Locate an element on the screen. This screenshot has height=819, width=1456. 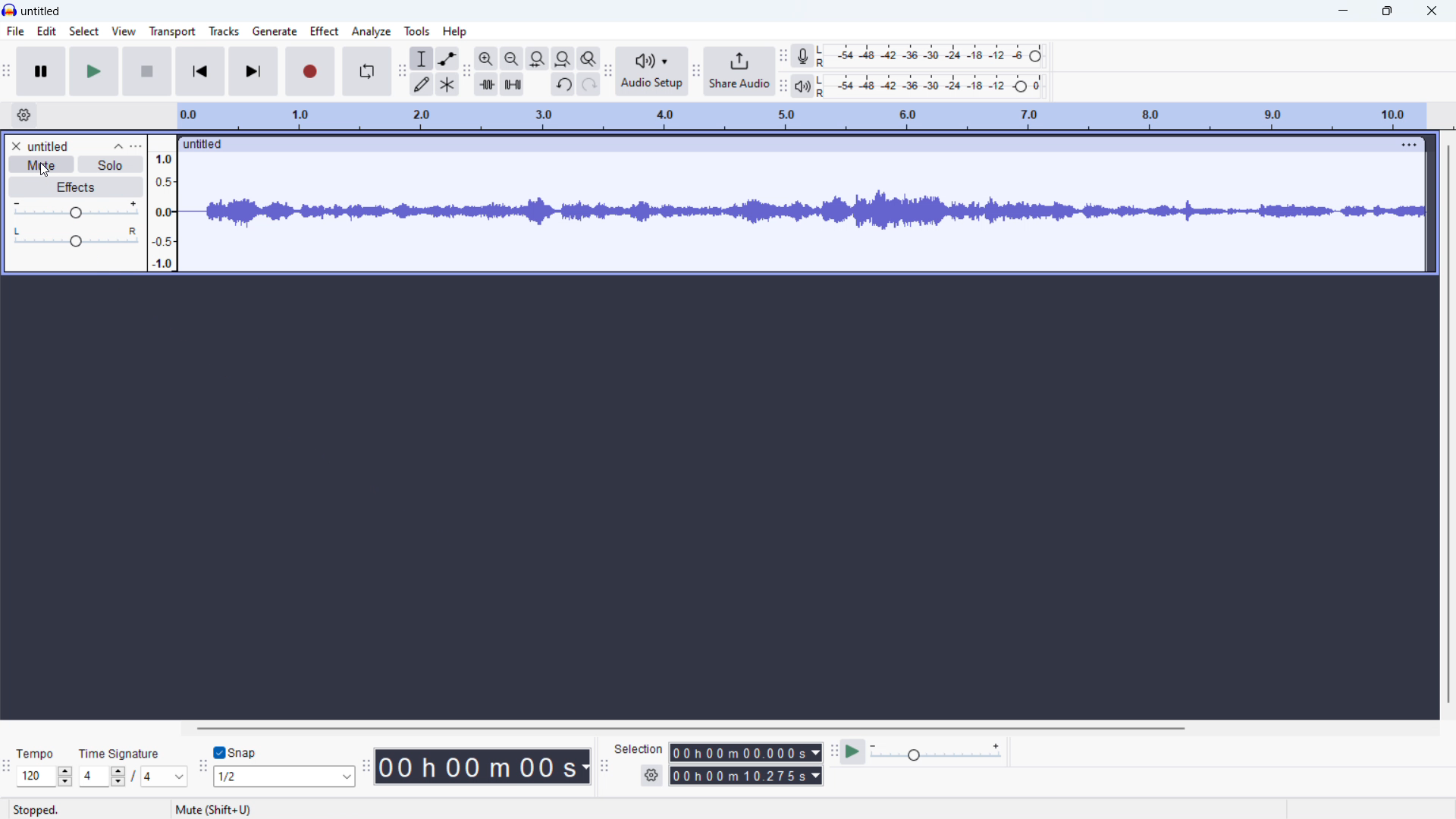
timeline settings is located at coordinates (24, 115).